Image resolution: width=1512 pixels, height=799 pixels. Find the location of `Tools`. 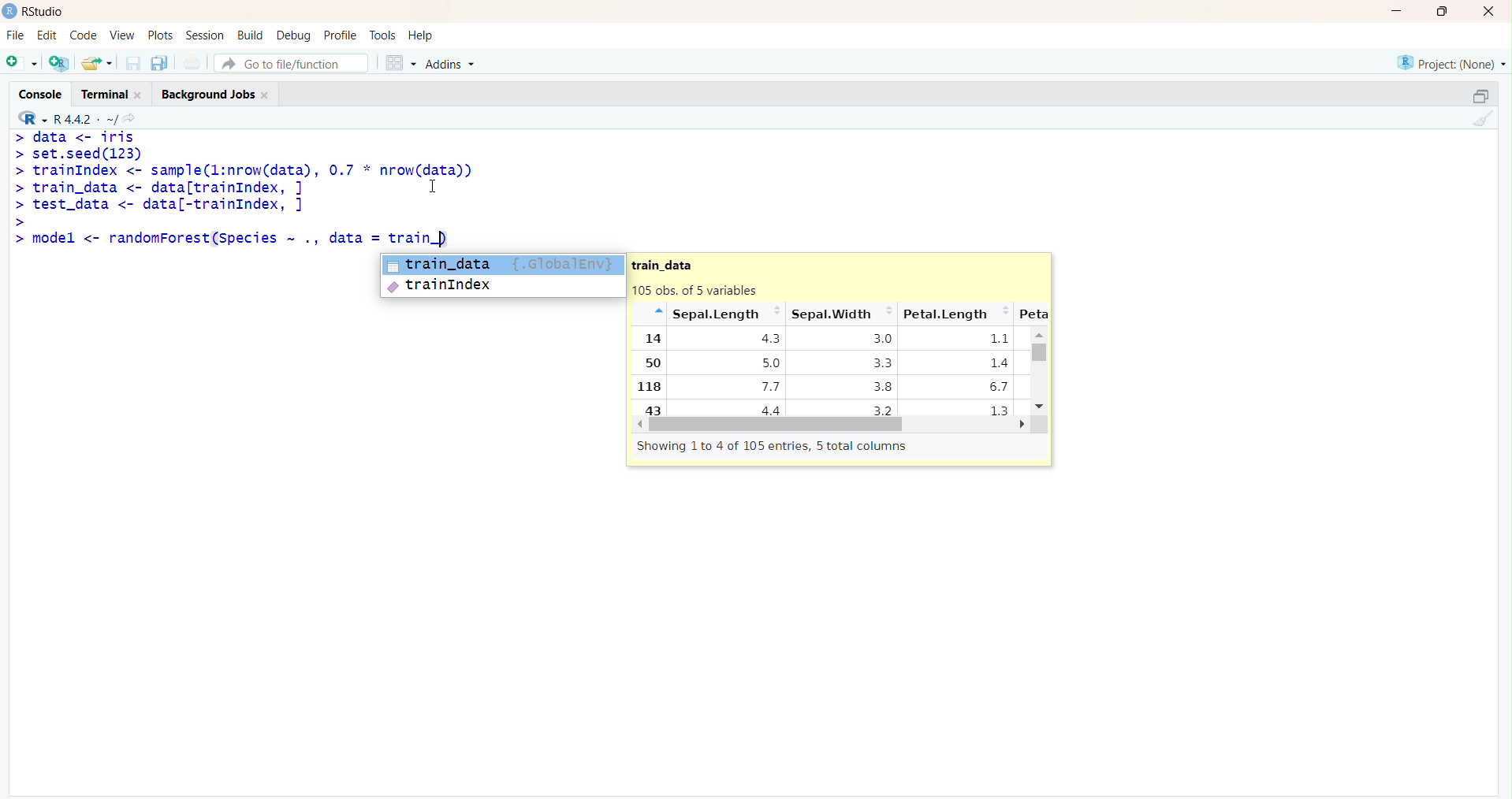

Tools is located at coordinates (382, 34).